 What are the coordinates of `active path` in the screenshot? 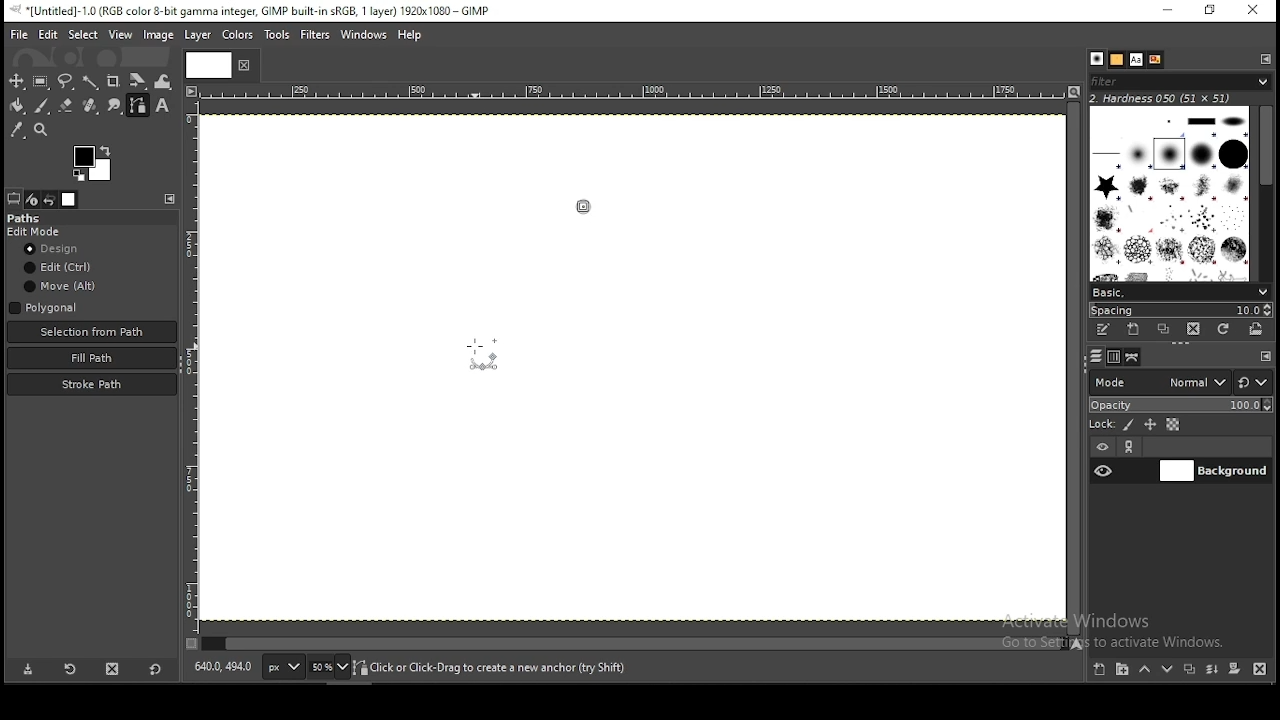 It's located at (585, 200).